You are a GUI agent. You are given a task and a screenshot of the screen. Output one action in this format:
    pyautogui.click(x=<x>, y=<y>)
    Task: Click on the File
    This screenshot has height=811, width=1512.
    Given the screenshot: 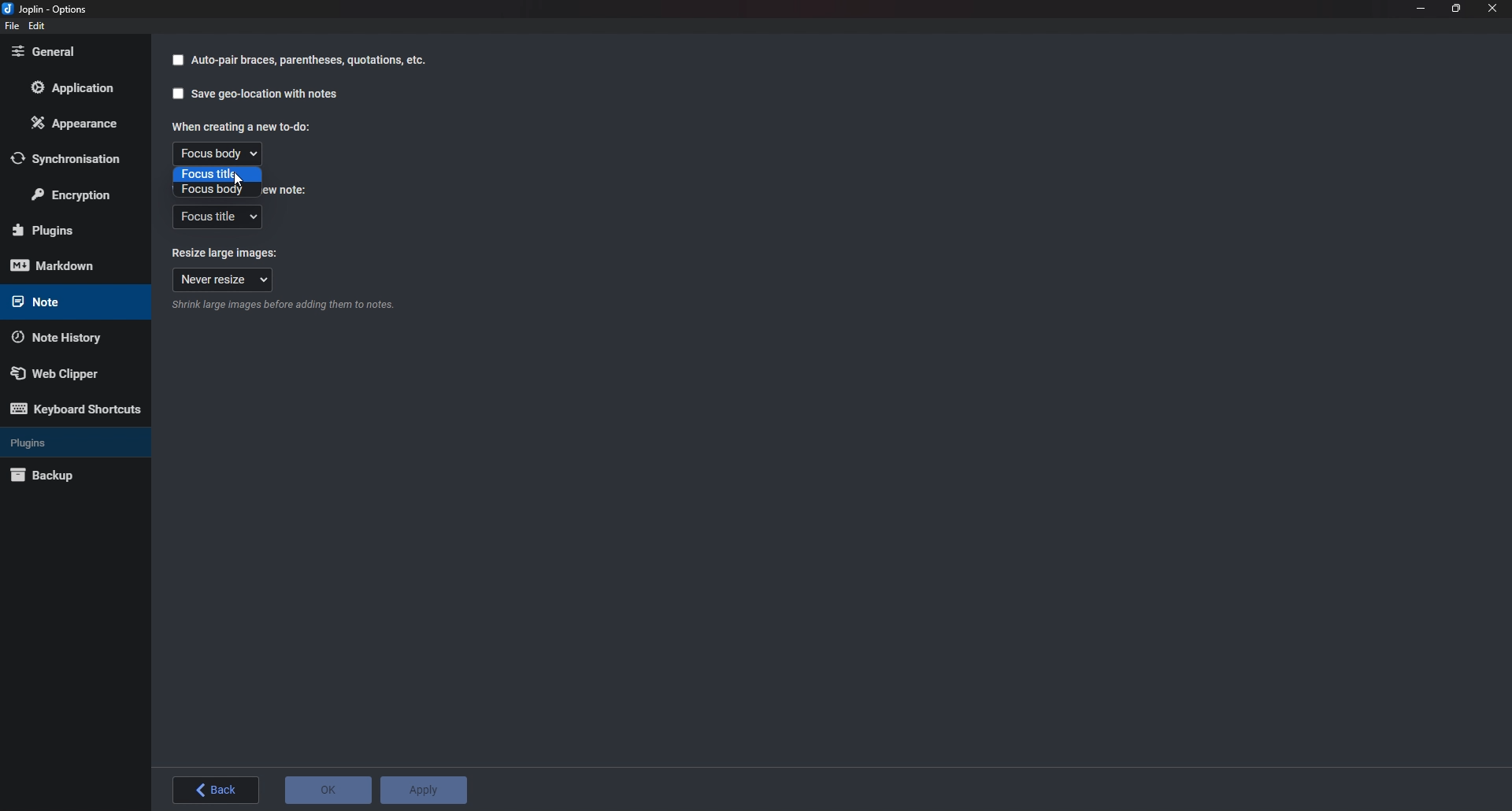 What is the action you would take?
    pyautogui.click(x=12, y=27)
    